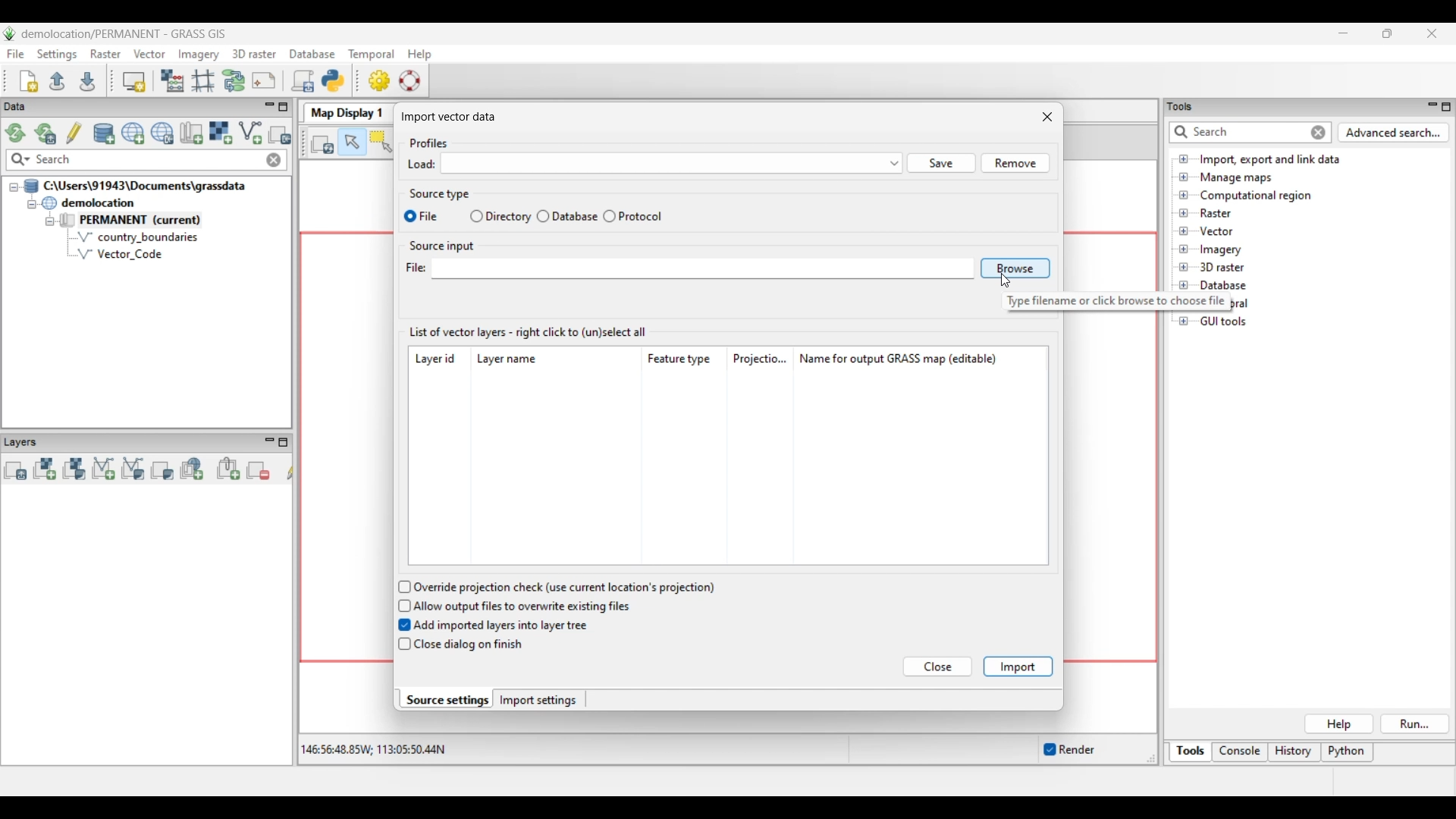  Describe the element at coordinates (1222, 267) in the screenshot. I see `Double click to see files under 3D raster` at that location.